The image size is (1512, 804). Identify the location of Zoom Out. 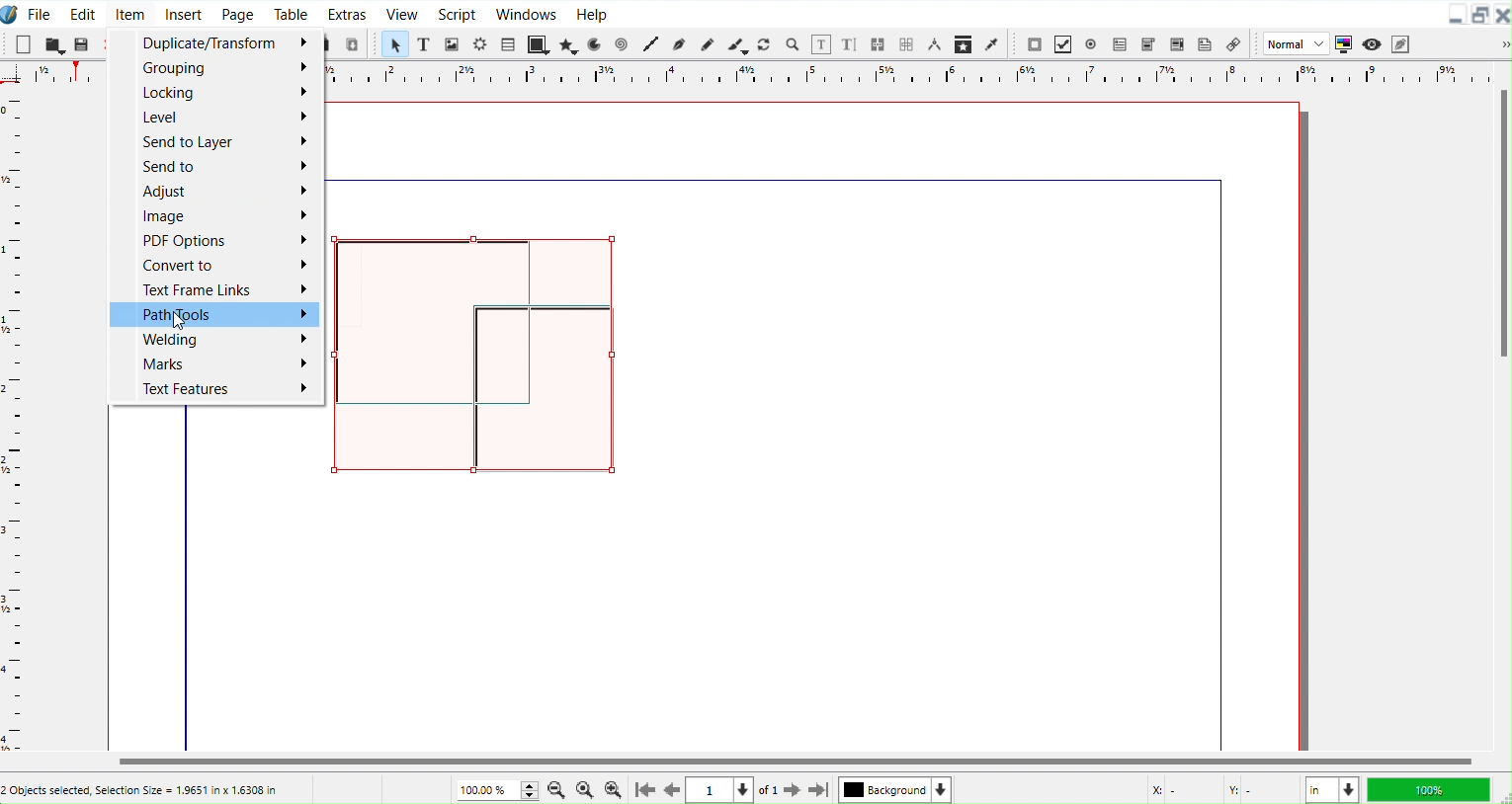
(557, 789).